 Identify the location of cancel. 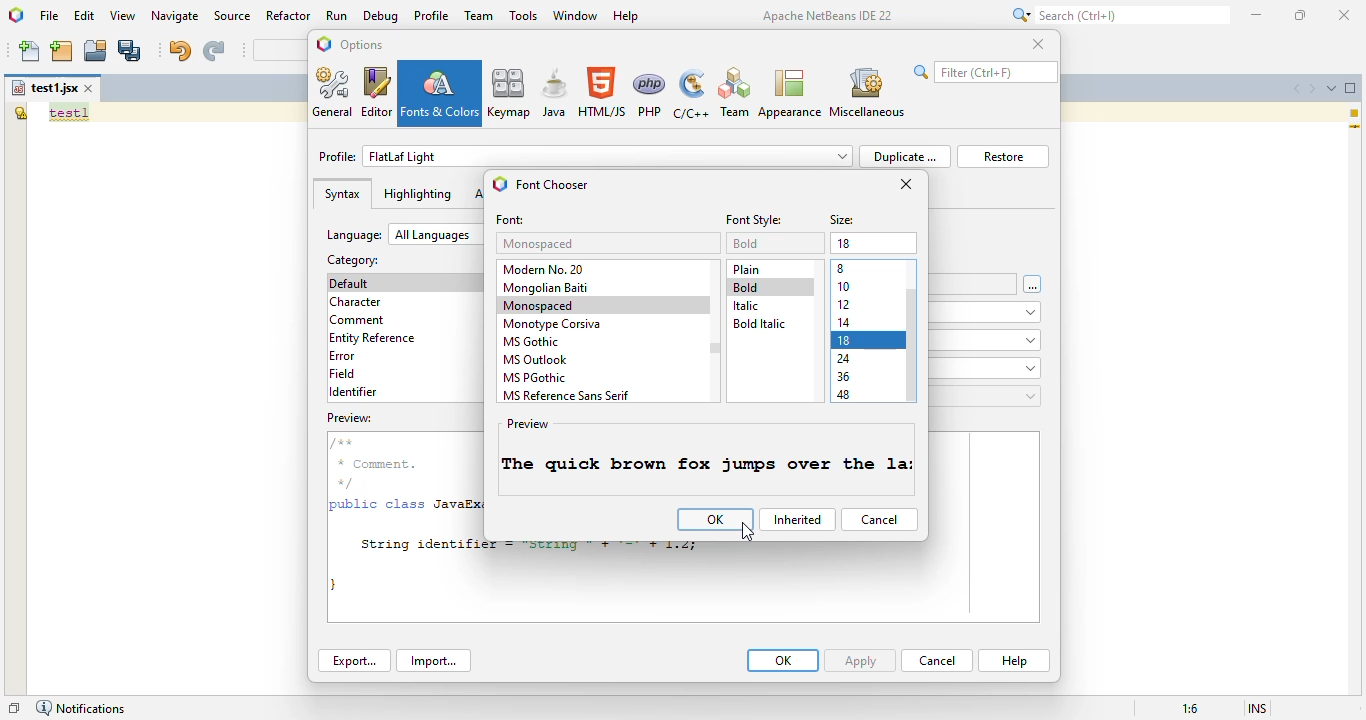
(879, 519).